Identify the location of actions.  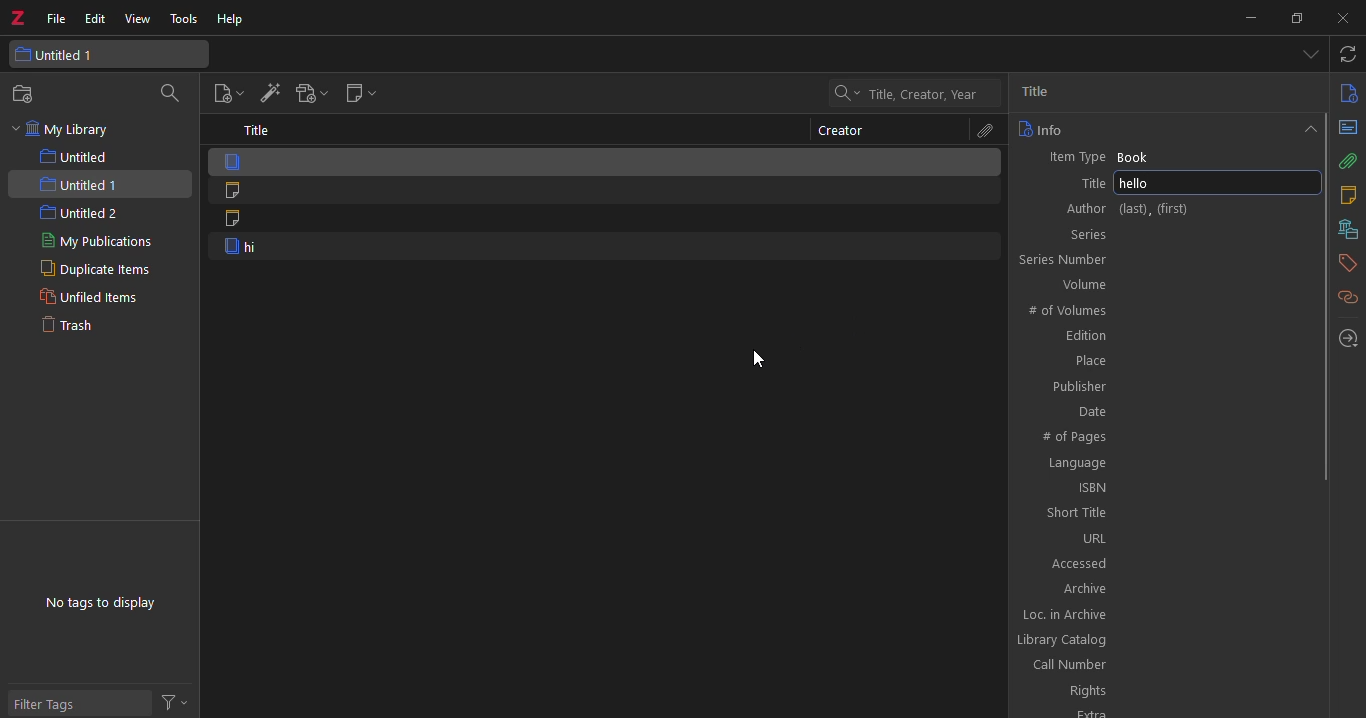
(179, 701).